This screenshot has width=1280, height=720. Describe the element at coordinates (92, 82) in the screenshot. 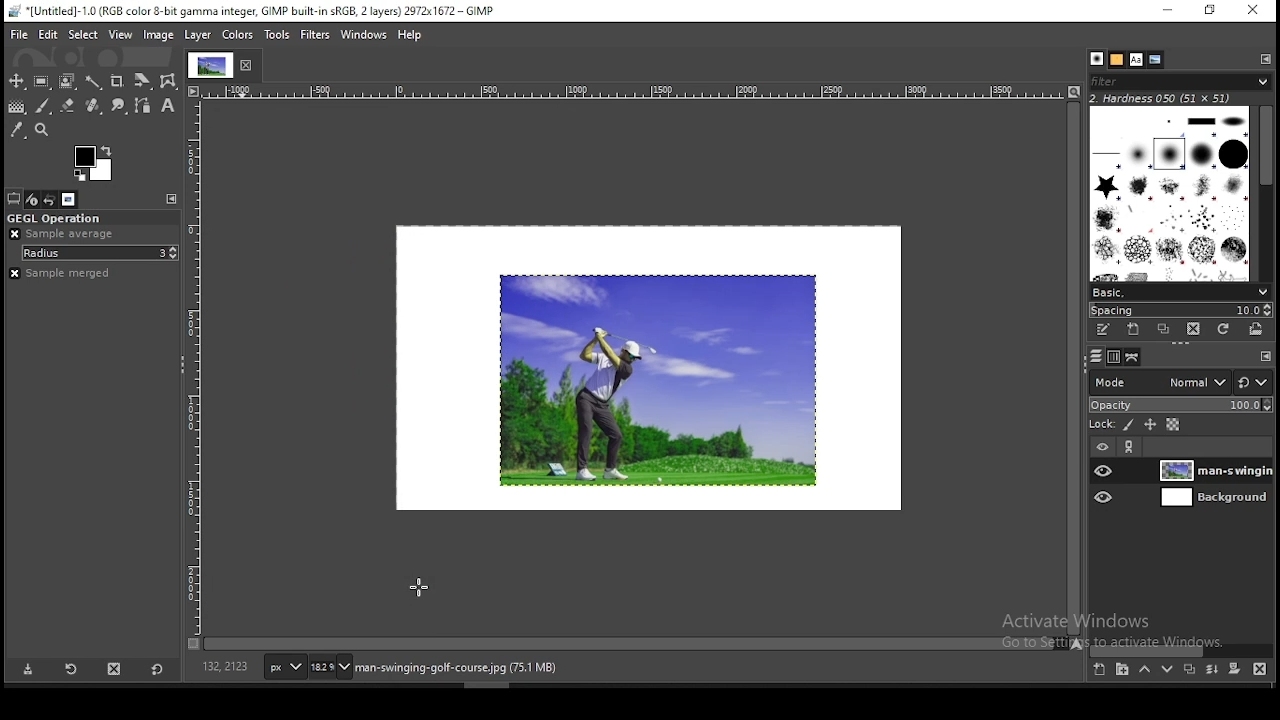

I see `fuzzy select tool` at that location.